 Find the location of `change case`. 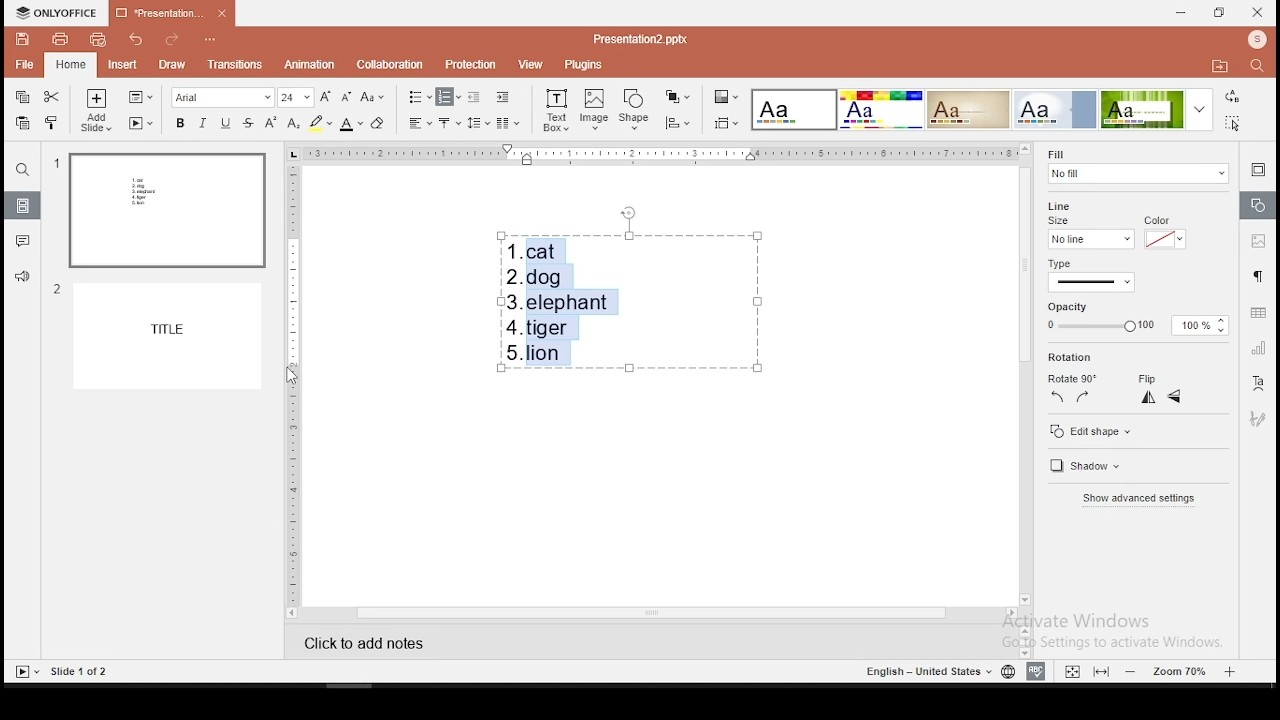

change case is located at coordinates (373, 97).